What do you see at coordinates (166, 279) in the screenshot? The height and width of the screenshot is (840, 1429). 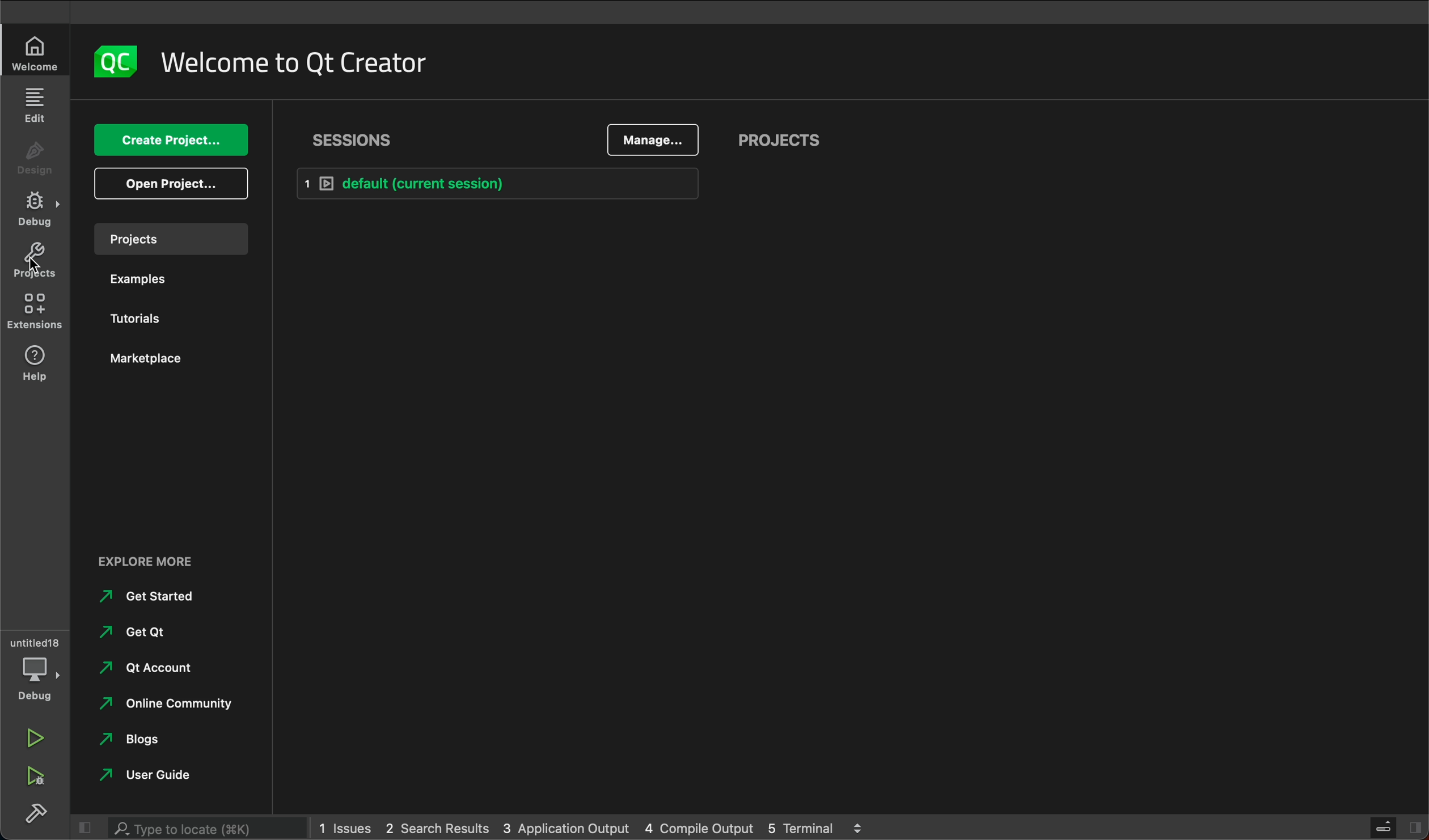 I see `examples` at bounding box center [166, 279].